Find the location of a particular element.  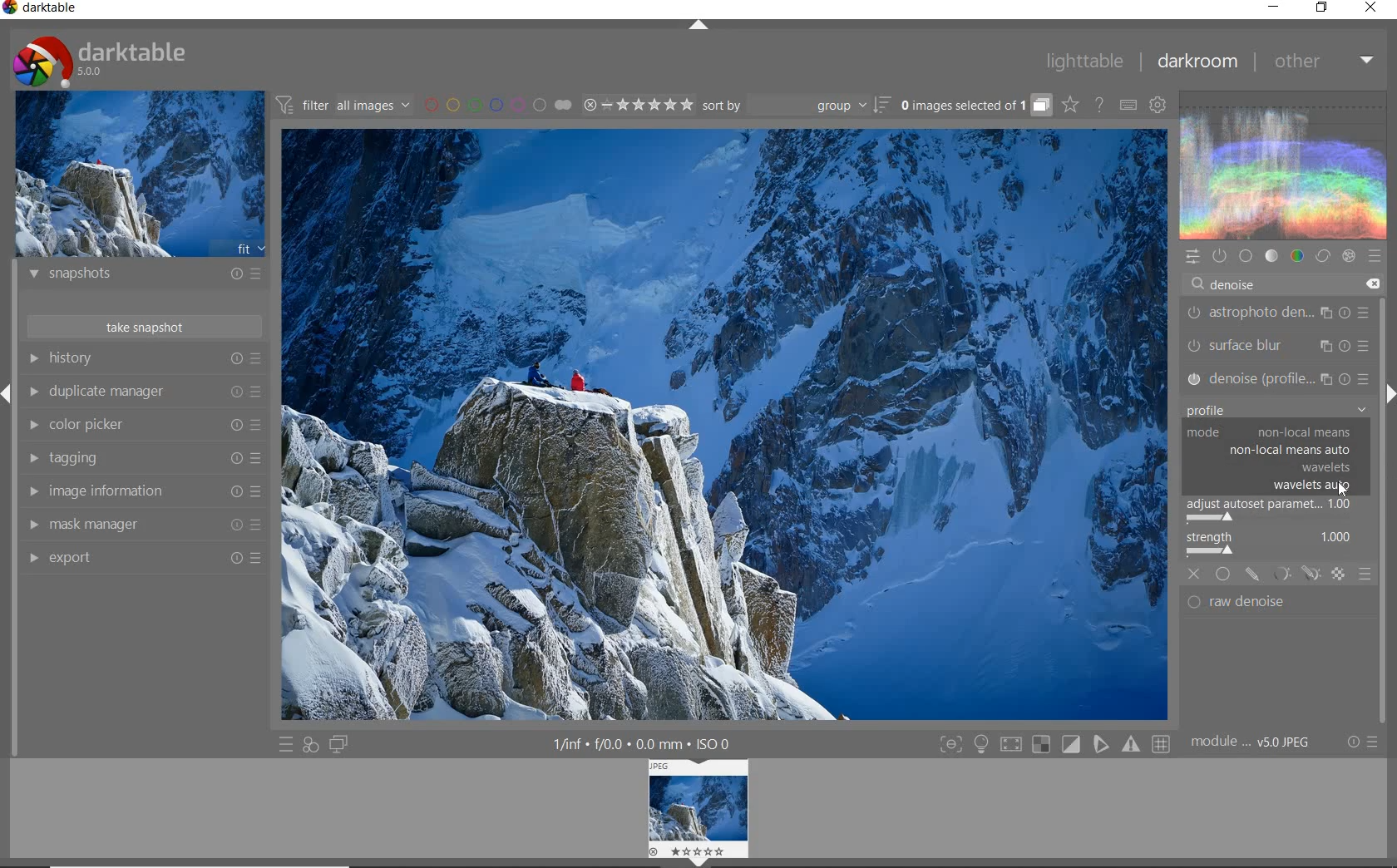

Toggle modes is located at coordinates (1054, 742).